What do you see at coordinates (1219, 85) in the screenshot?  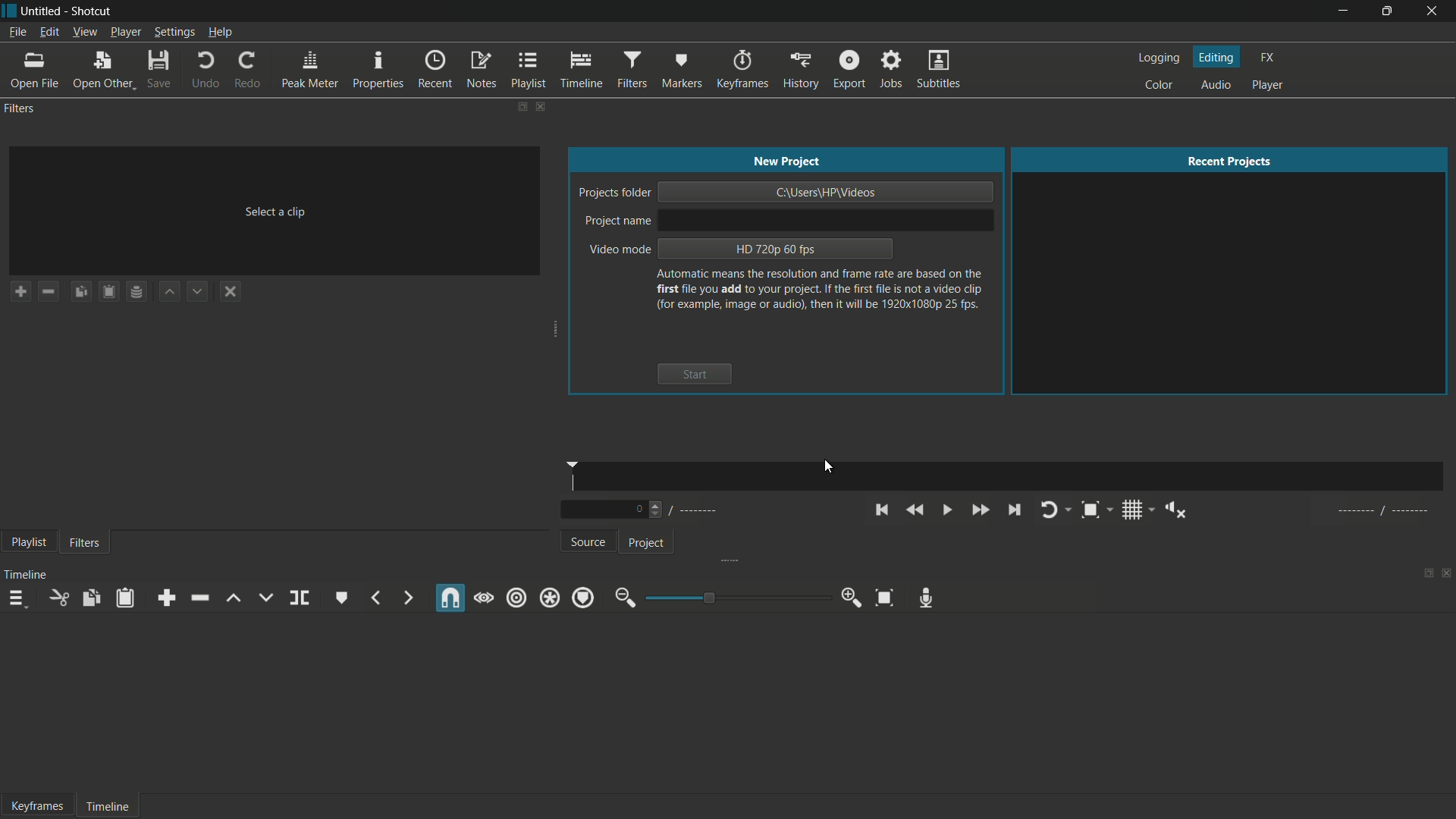 I see `audio` at bounding box center [1219, 85].